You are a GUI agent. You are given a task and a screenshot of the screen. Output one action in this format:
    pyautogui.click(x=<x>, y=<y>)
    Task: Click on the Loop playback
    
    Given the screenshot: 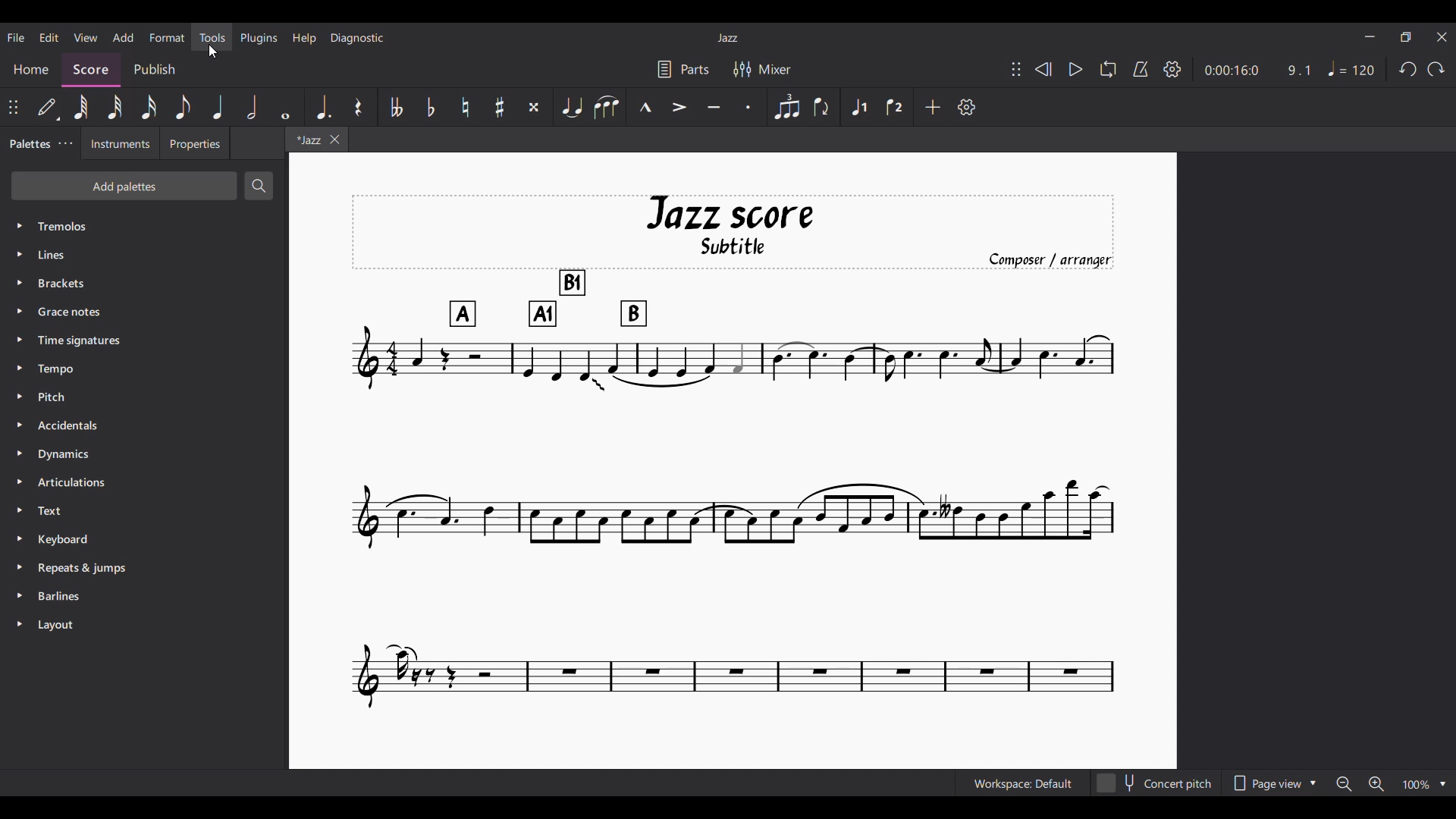 What is the action you would take?
    pyautogui.click(x=1108, y=69)
    